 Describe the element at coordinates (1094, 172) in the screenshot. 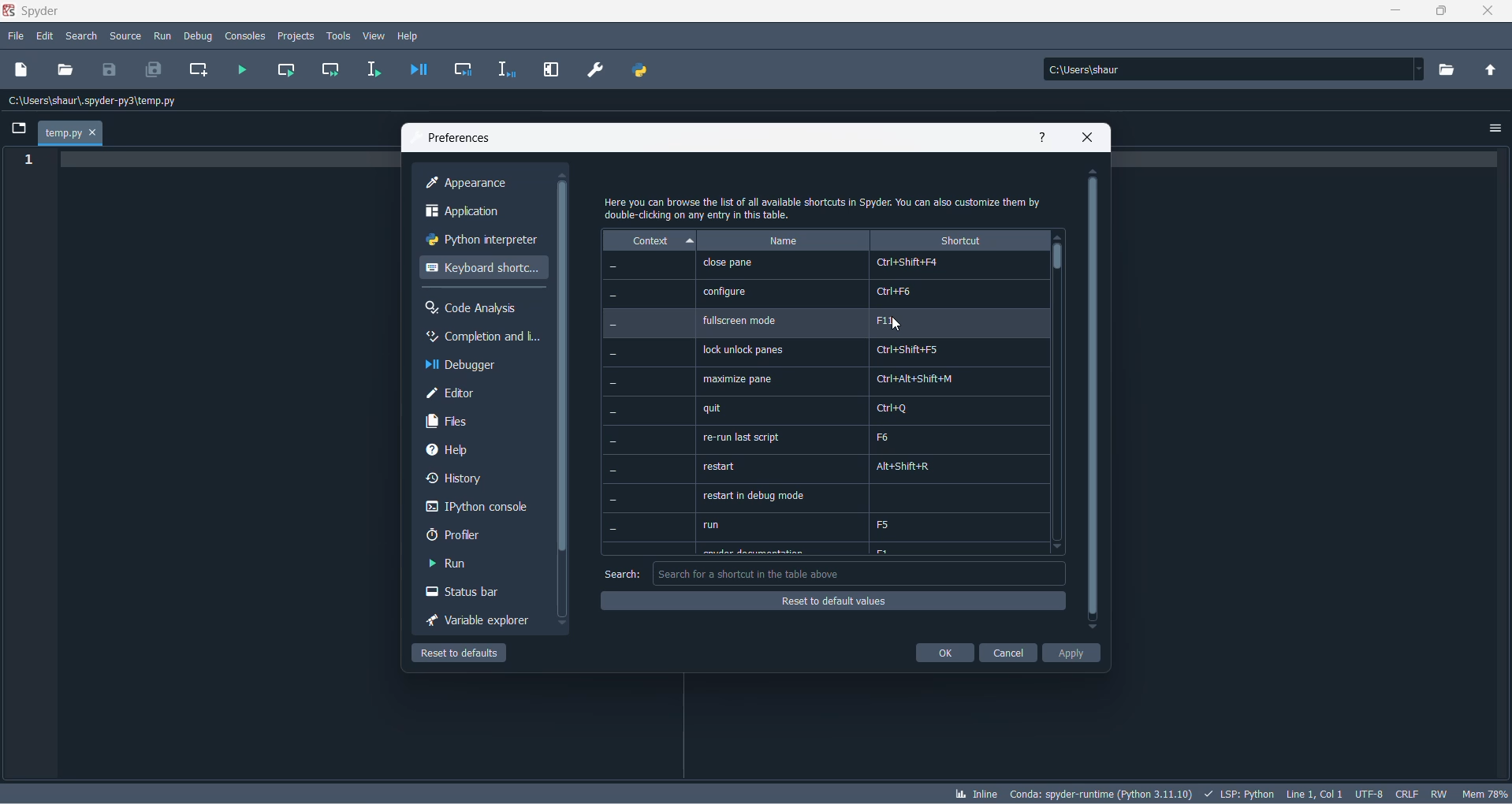

I see `move up` at that location.